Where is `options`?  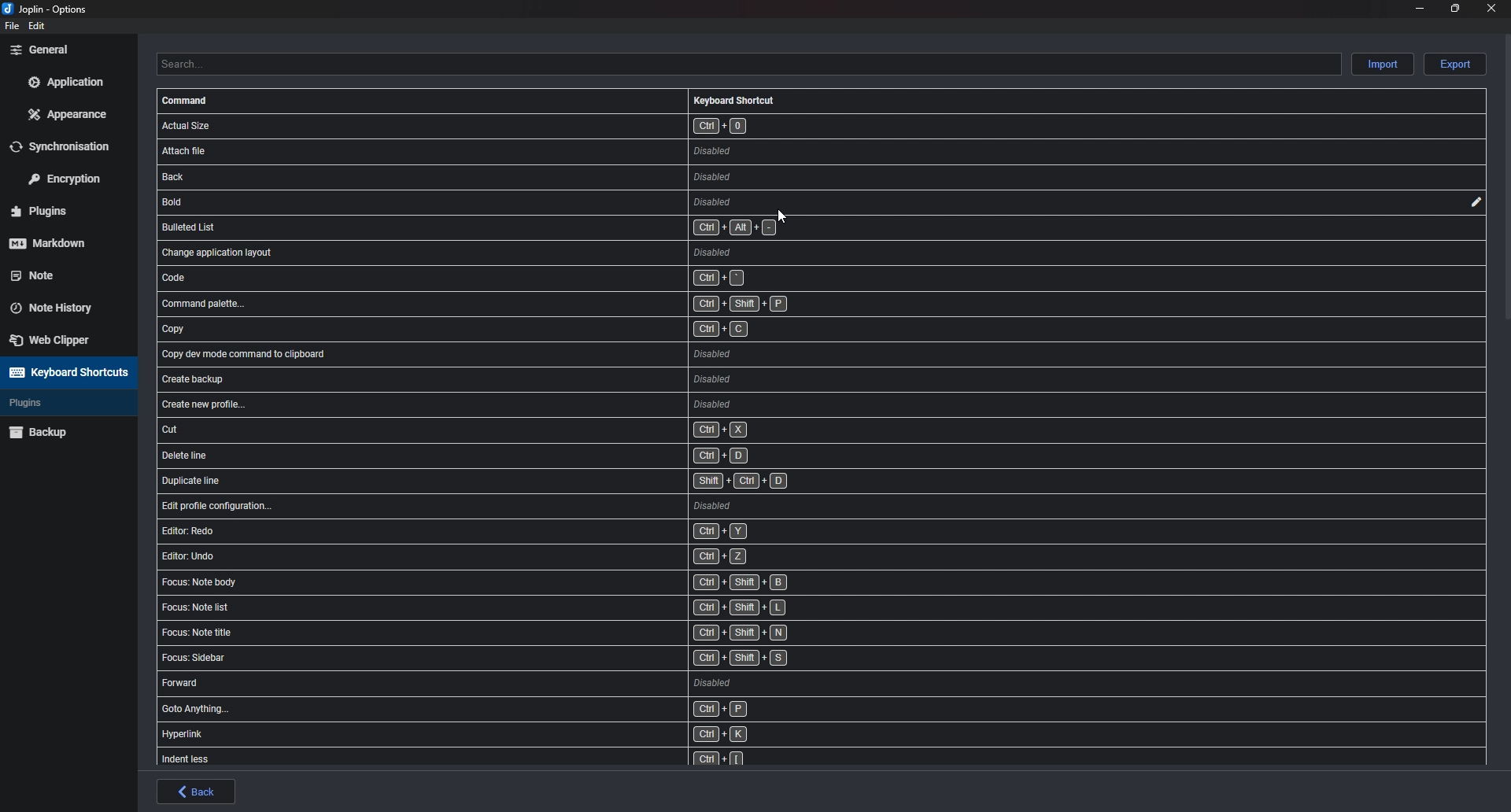 options is located at coordinates (49, 10).